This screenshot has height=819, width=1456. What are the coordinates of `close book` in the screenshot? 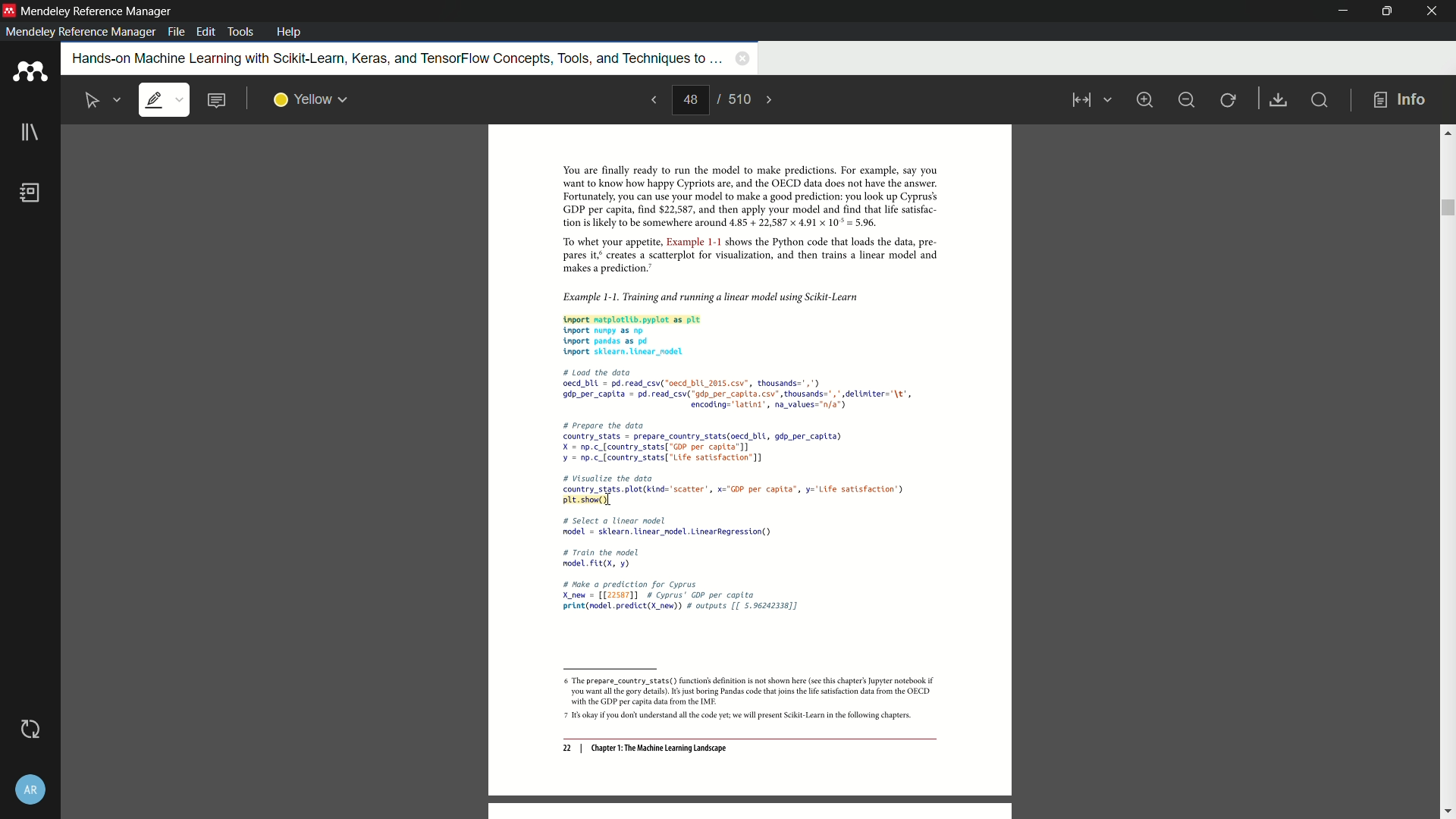 It's located at (742, 58).